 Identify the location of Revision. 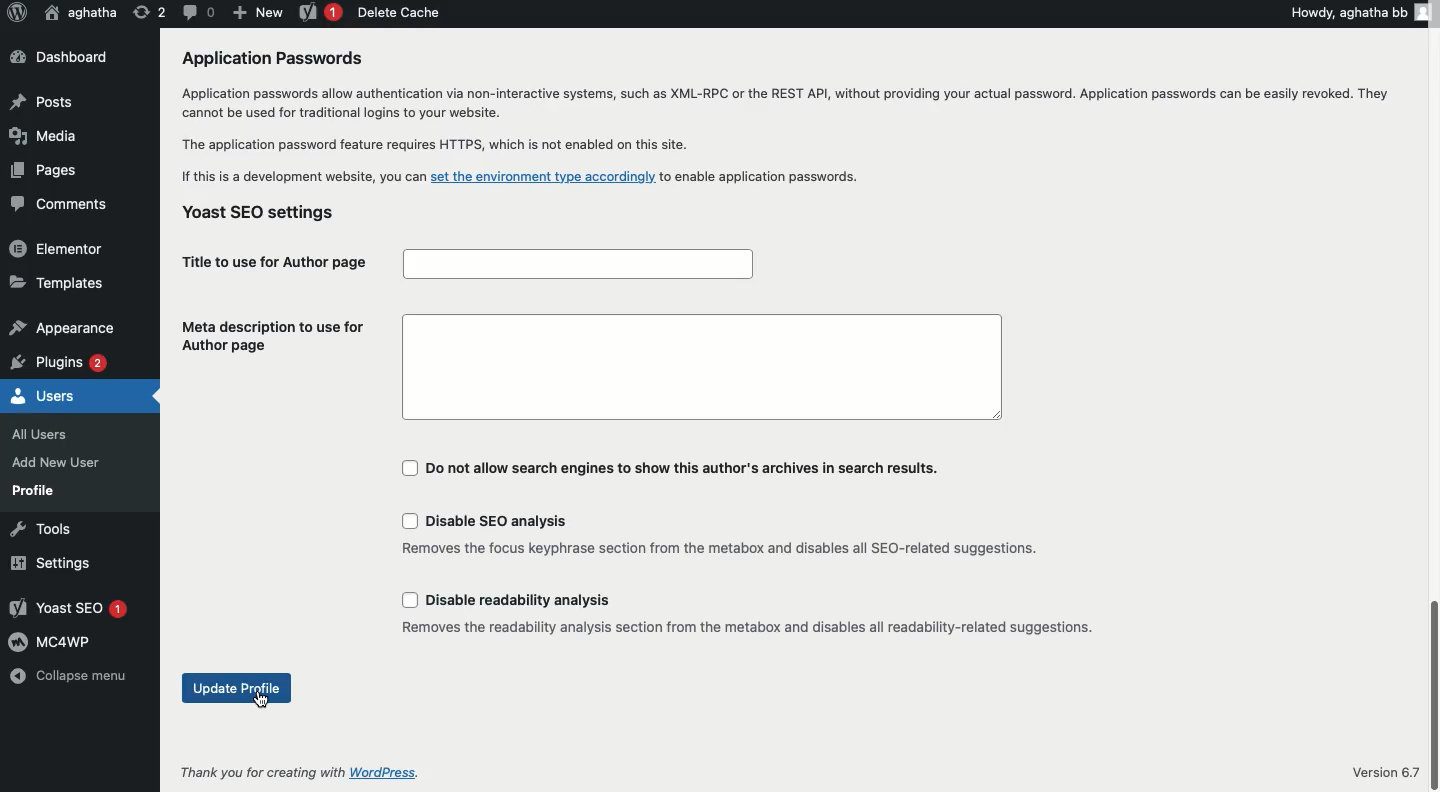
(150, 11).